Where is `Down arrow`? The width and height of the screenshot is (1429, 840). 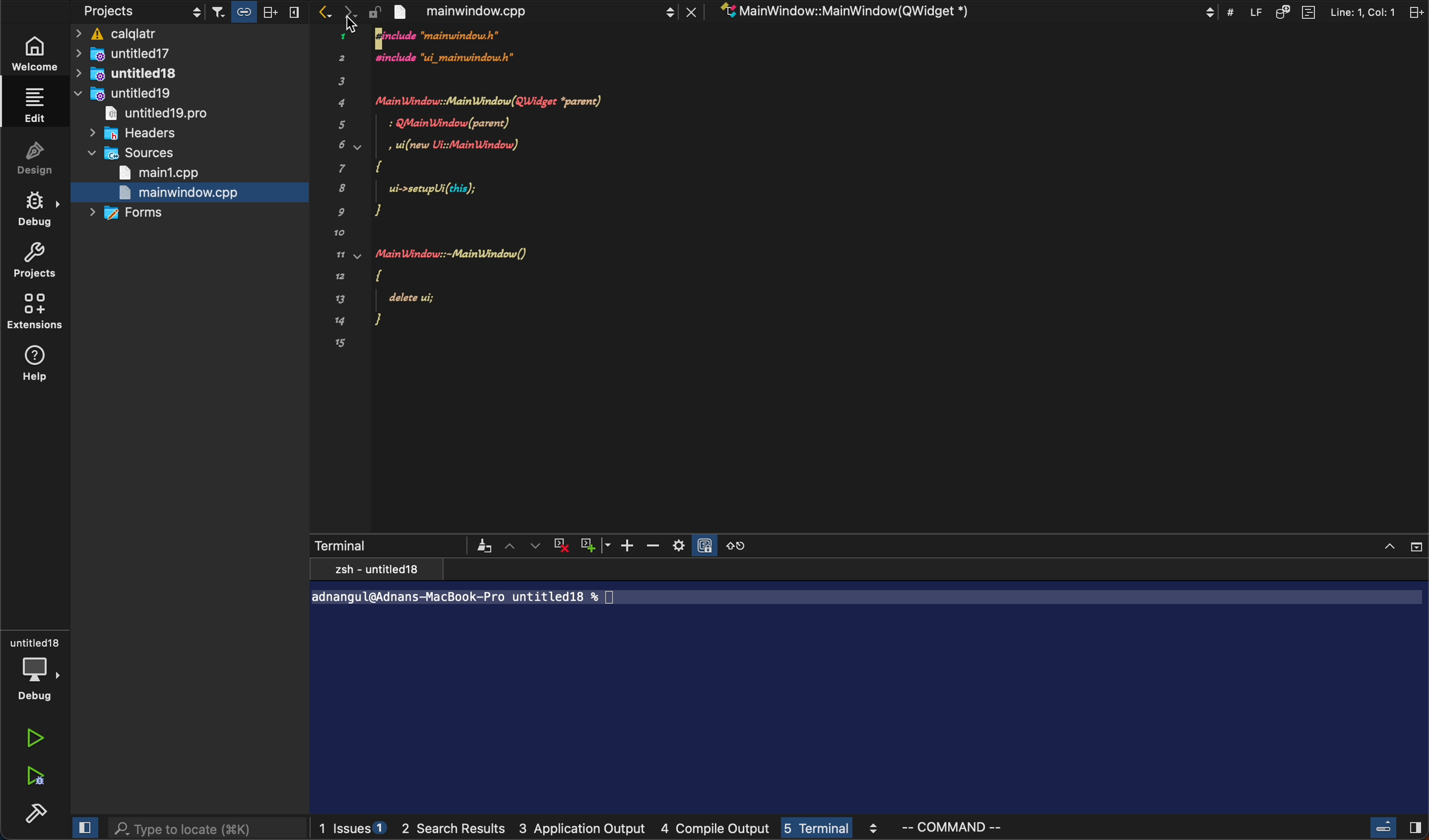
Down arrow is located at coordinates (611, 545).